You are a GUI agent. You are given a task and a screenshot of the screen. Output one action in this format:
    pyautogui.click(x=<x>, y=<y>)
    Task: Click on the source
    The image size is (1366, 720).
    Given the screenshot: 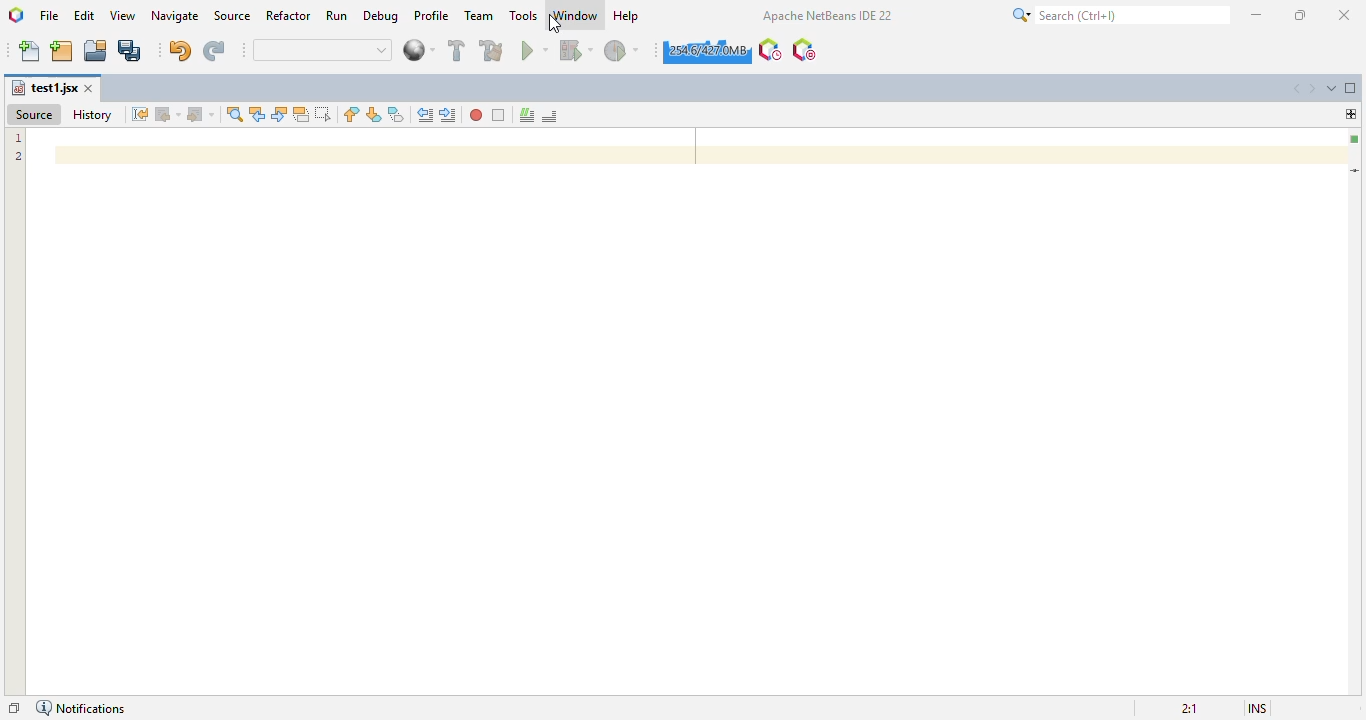 What is the action you would take?
    pyautogui.click(x=33, y=114)
    